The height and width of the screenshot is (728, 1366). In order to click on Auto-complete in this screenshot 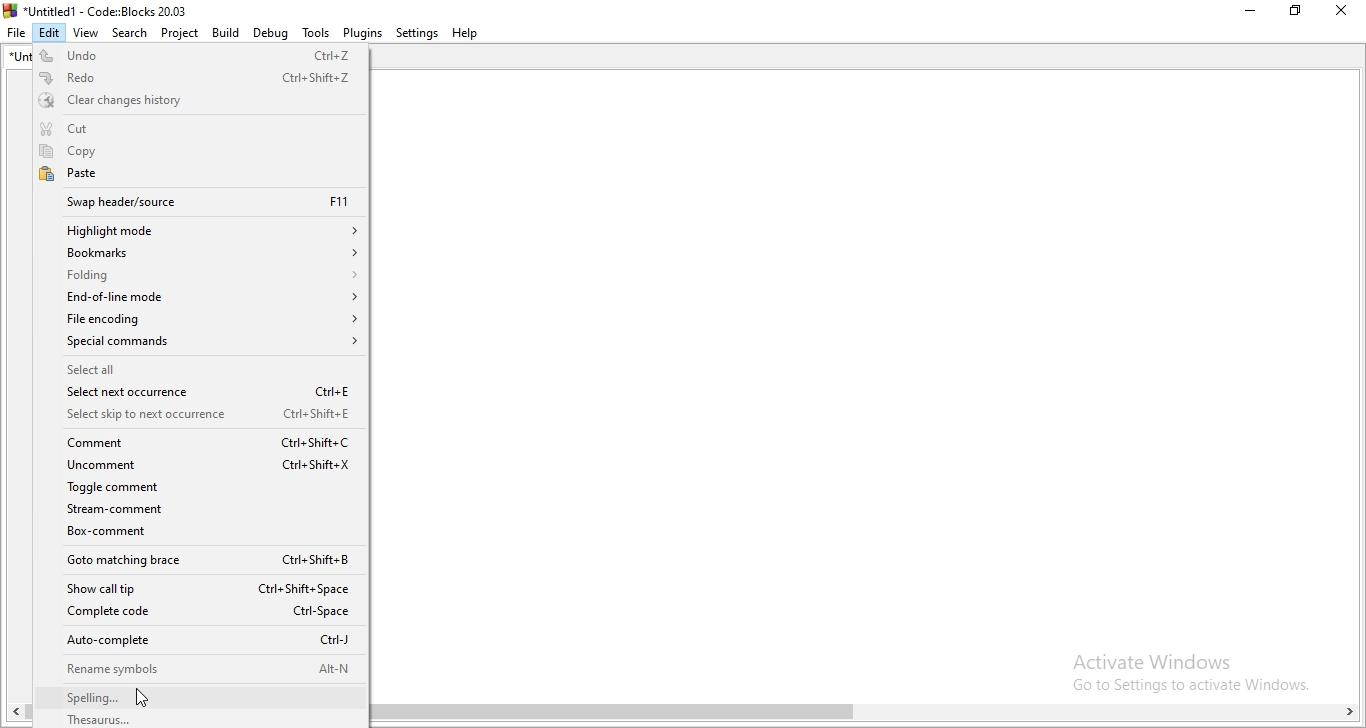, I will do `click(202, 641)`.